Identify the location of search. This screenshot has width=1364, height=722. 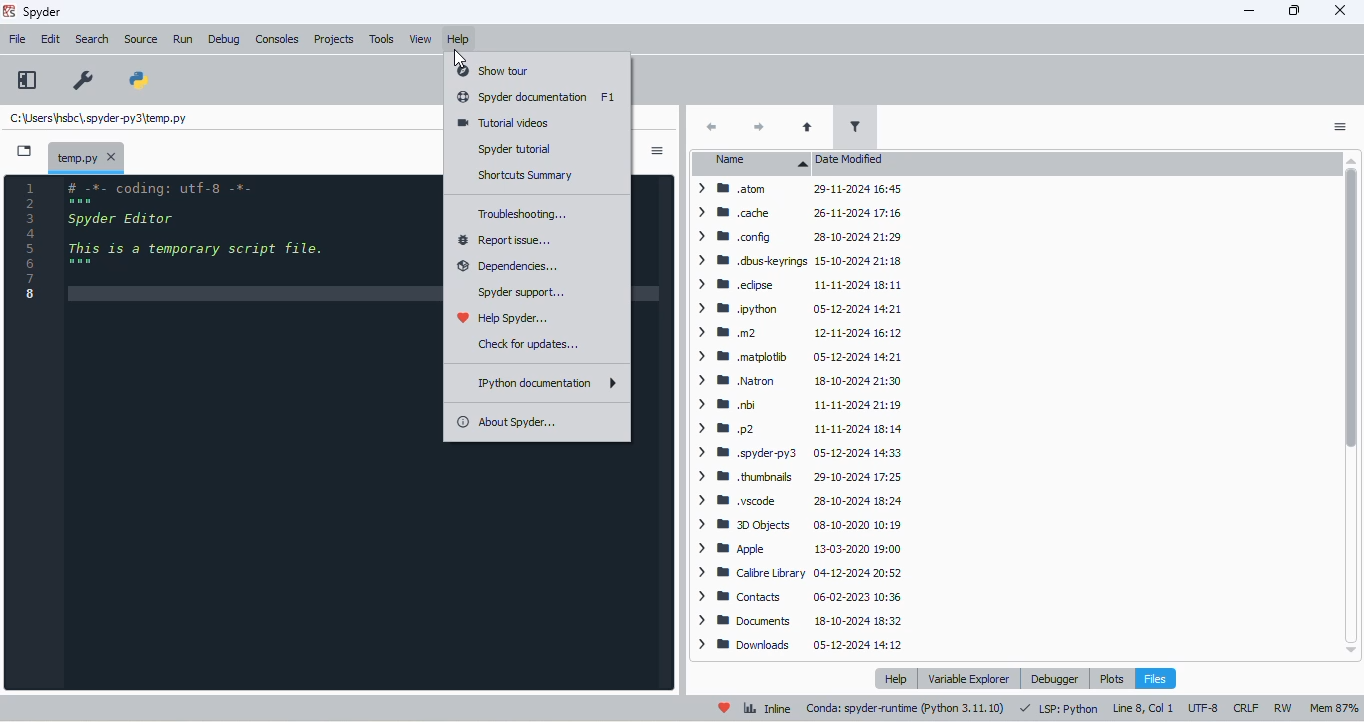
(93, 40).